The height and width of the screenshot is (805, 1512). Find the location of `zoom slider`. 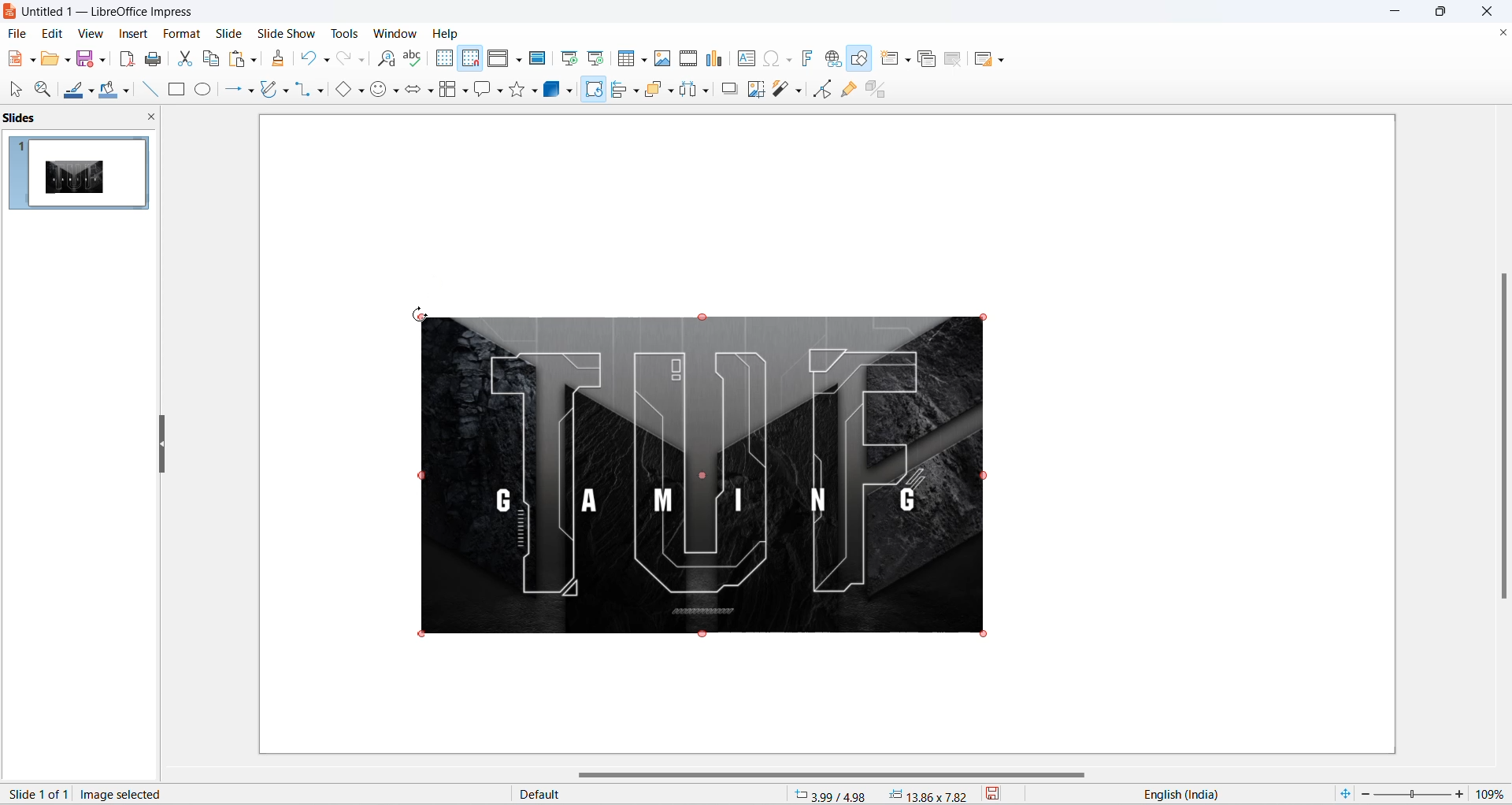

zoom slider is located at coordinates (1411, 795).